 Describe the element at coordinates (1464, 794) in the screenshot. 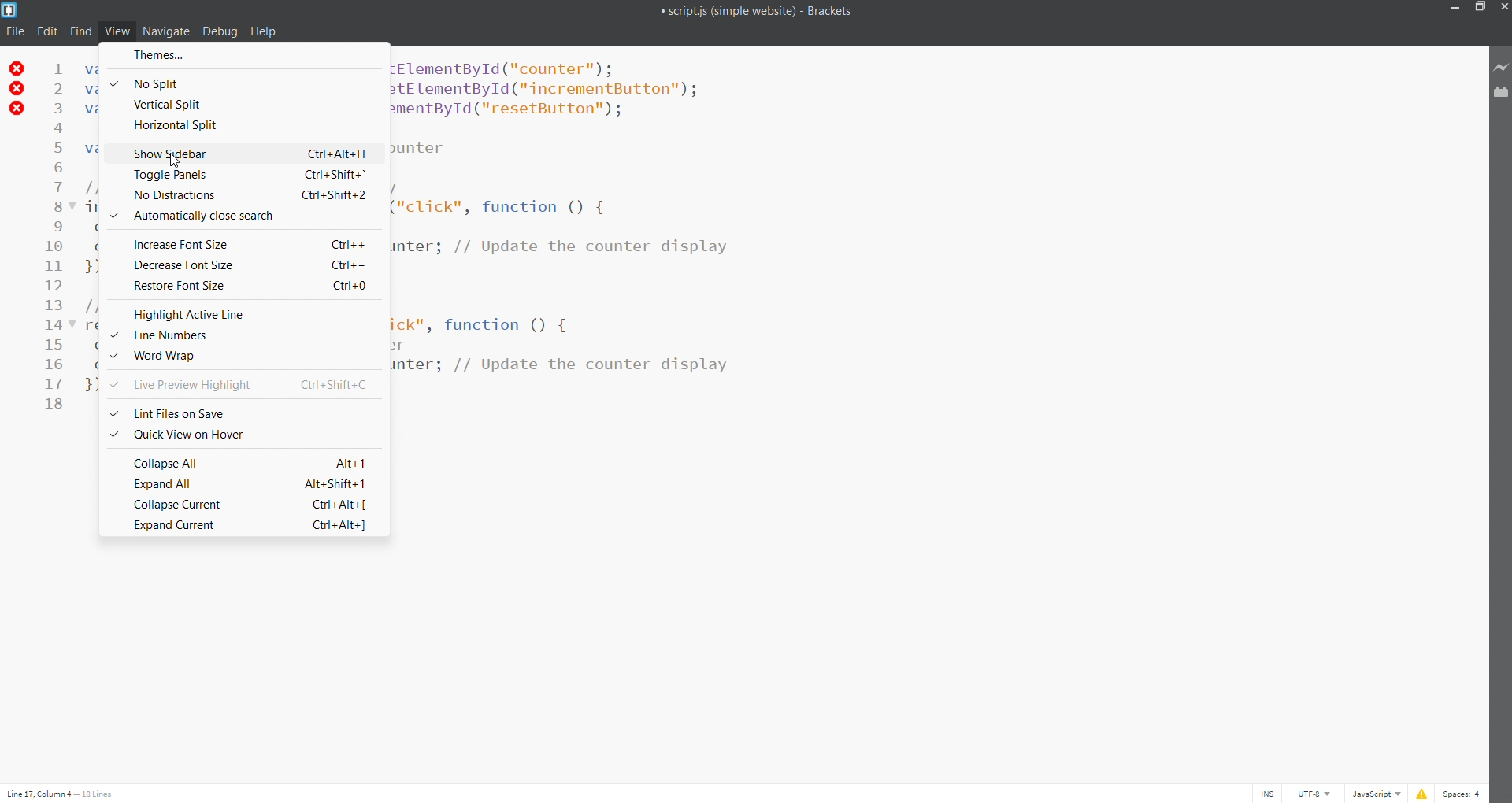

I see `space count` at that location.